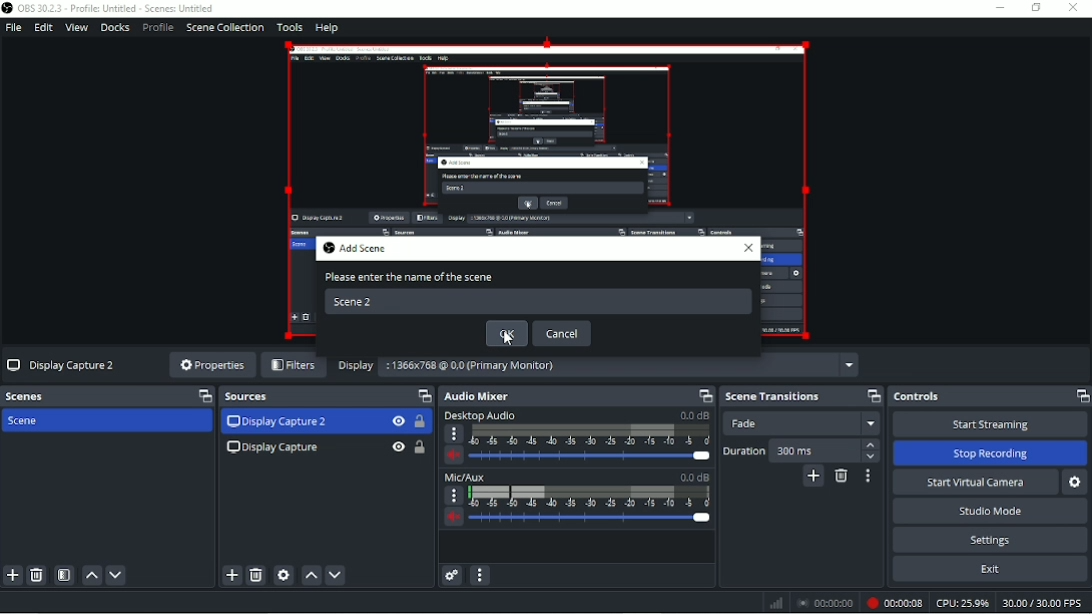  Describe the element at coordinates (894, 603) in the screenshot. I see `Recording 00:00:05` at that location.